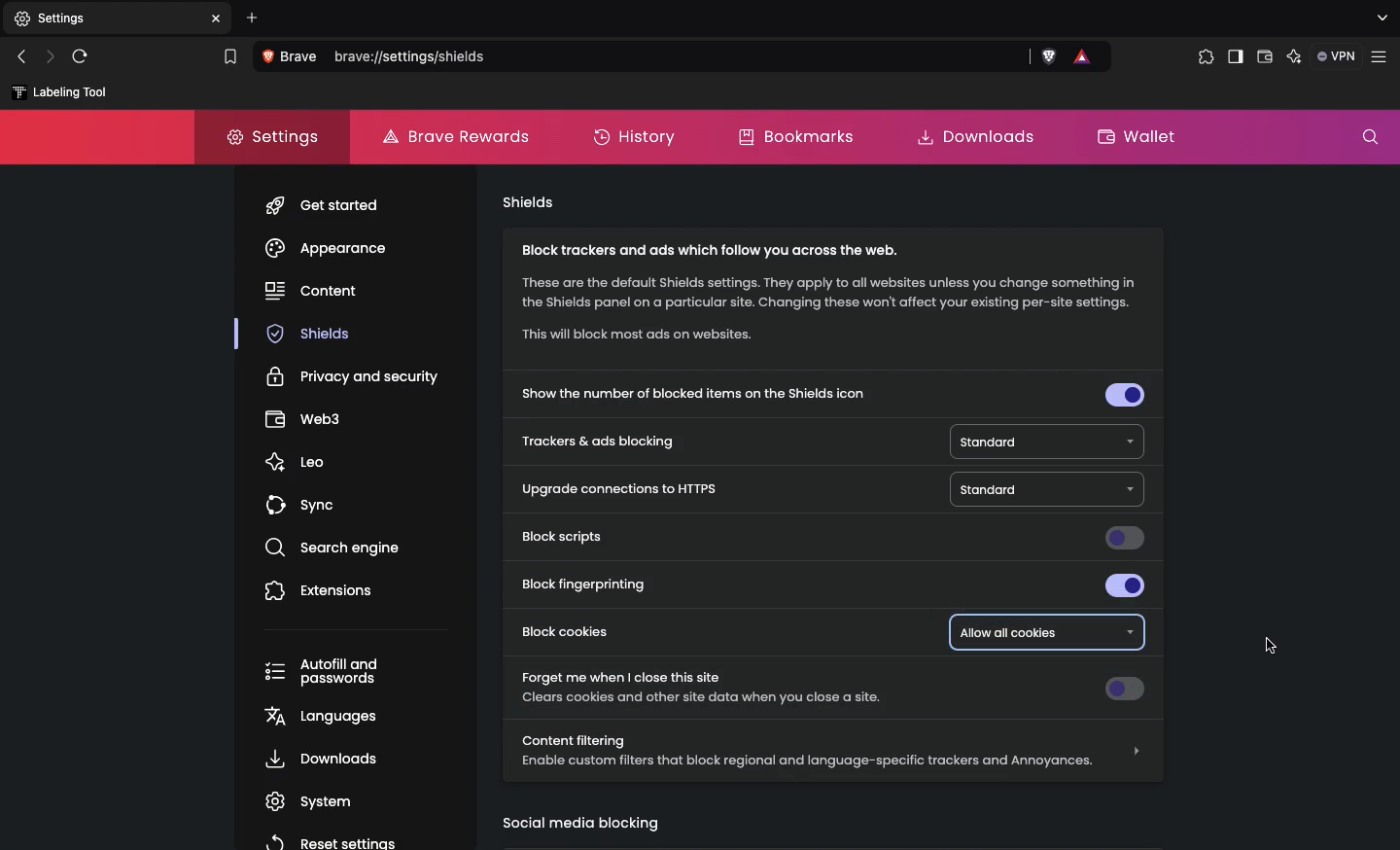  I want to click on reset settings, so click(329, 840).